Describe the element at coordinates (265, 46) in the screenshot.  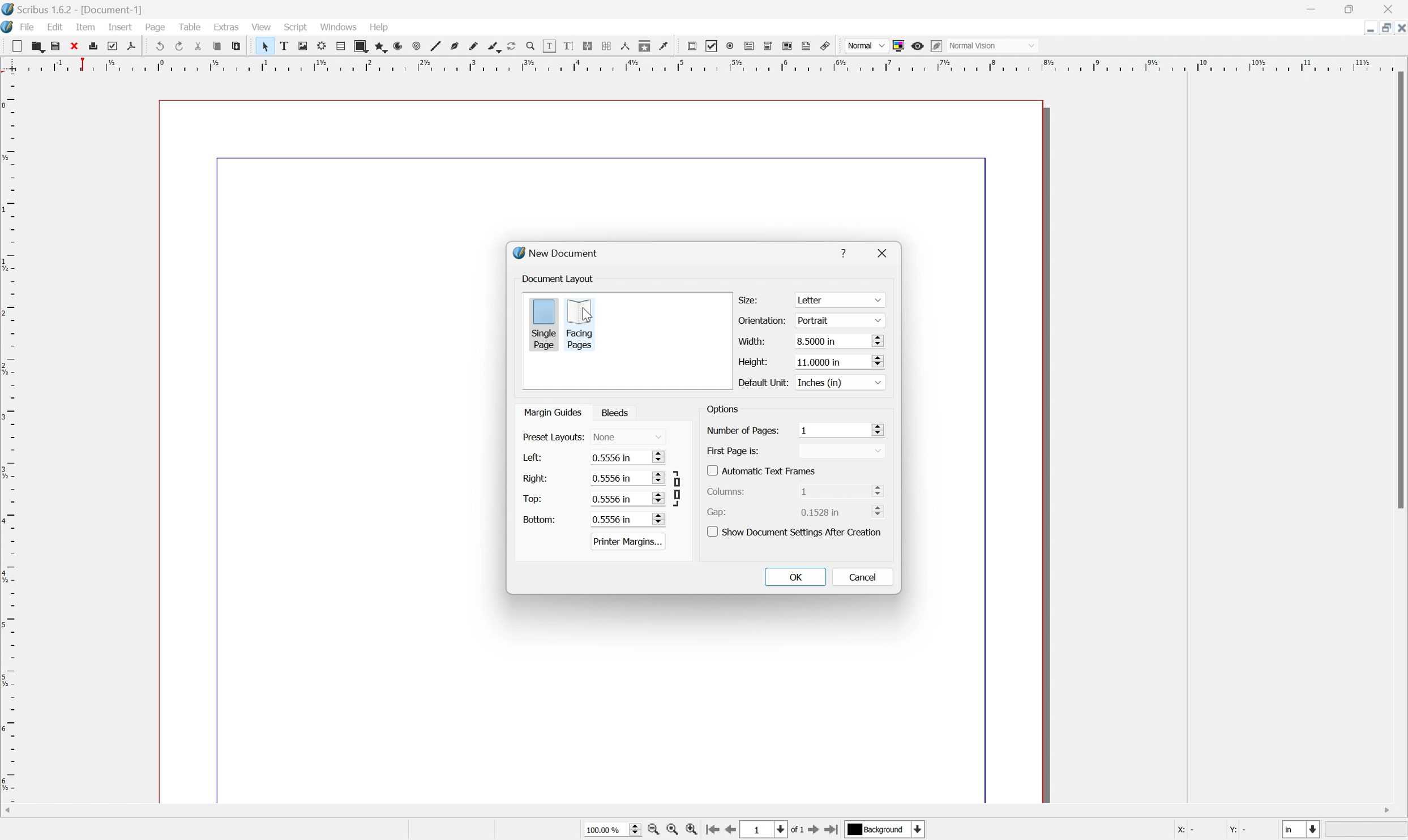
I see `Select item` at that location.